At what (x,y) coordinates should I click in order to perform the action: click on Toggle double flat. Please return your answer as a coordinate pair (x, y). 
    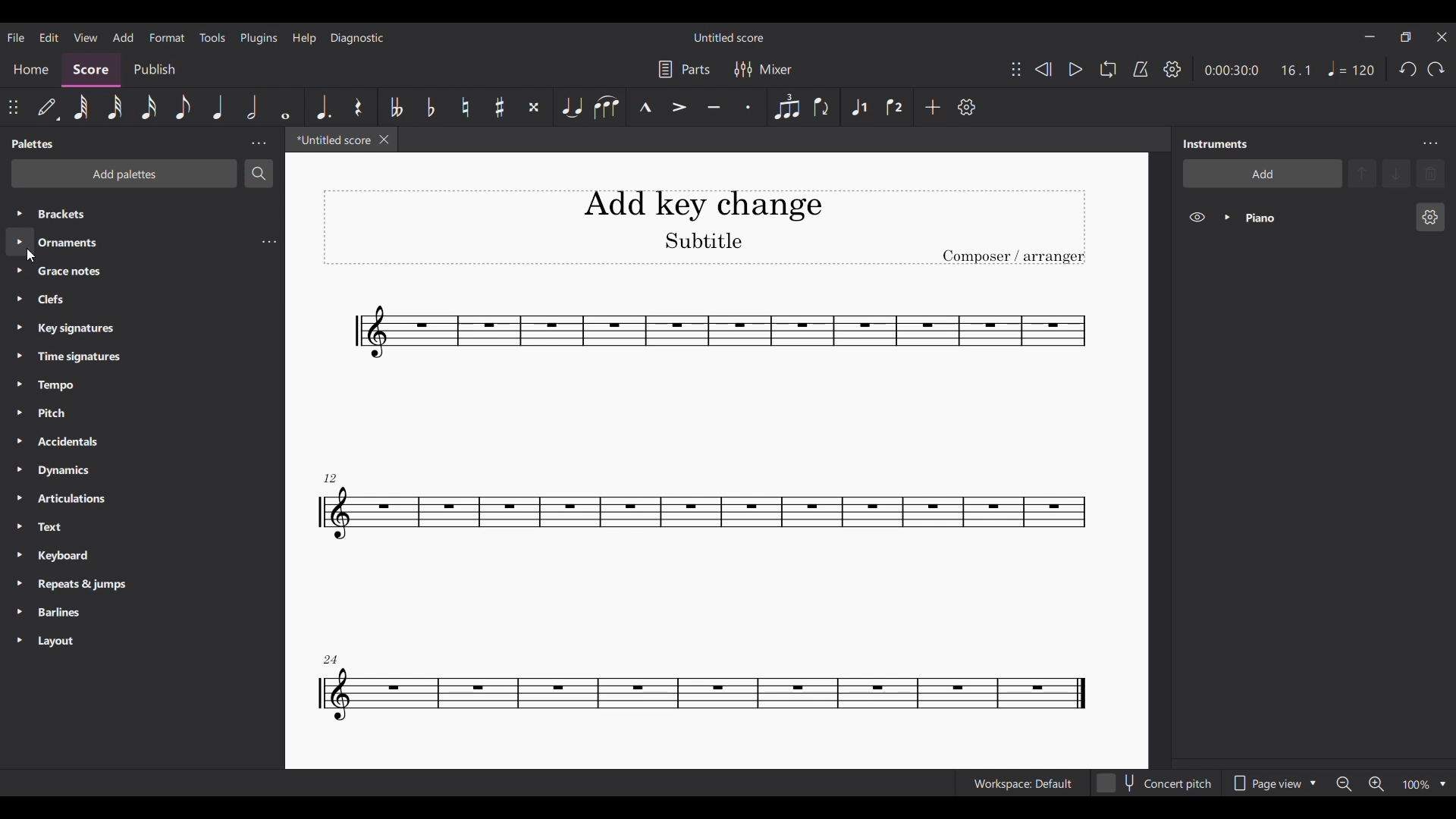
    Looking at the image, I should click on (396, 107).